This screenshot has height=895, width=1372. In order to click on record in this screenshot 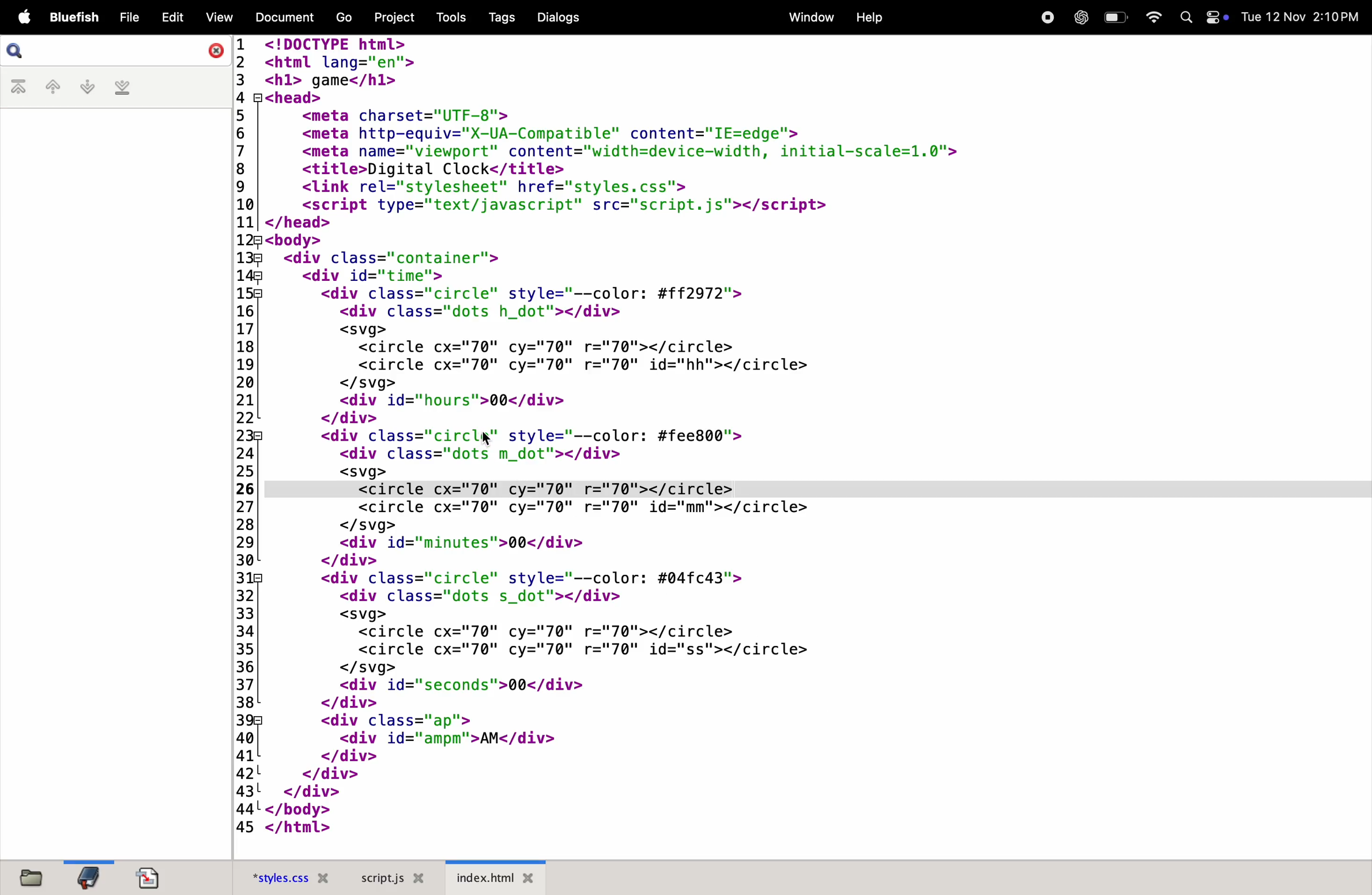, I will do `click(1046, 17)`.